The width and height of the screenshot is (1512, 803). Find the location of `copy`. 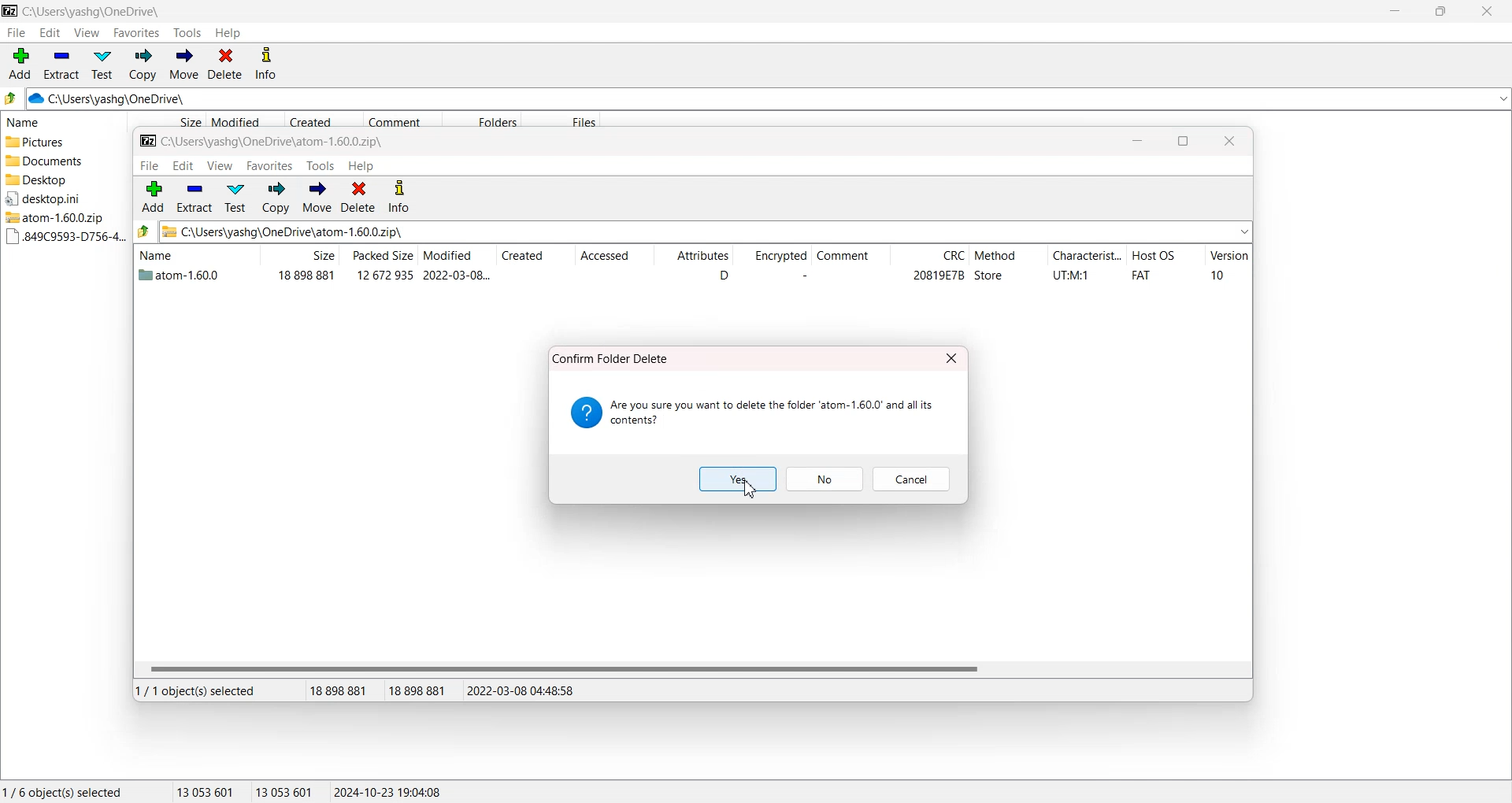

copy is located at coordinates (276, 198).